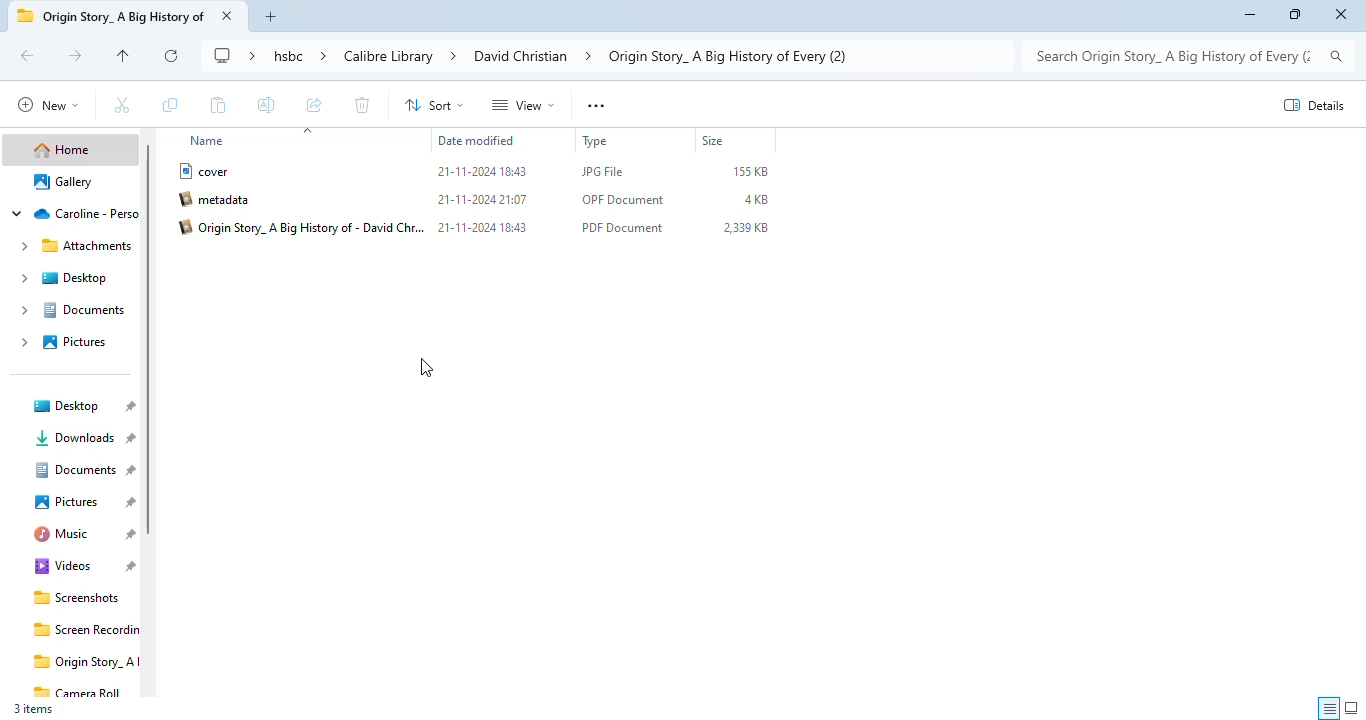 The height and width of the screenshot is (720, 1366). Describe the element at coordinates (72, 213) in the screenshot. I see `cloud` at that location.